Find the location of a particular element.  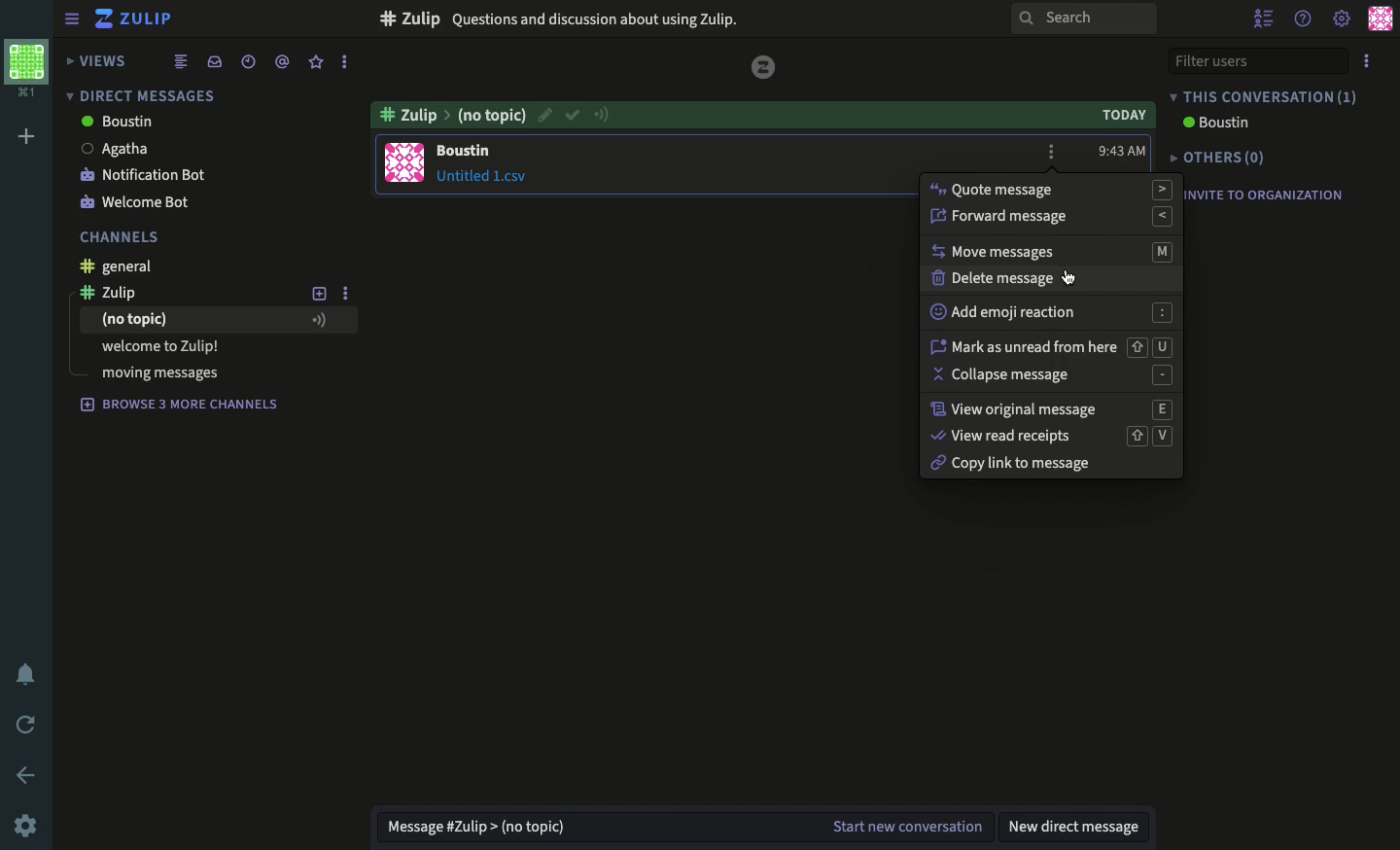

mark as unread is located at coordinates (1049, 347).